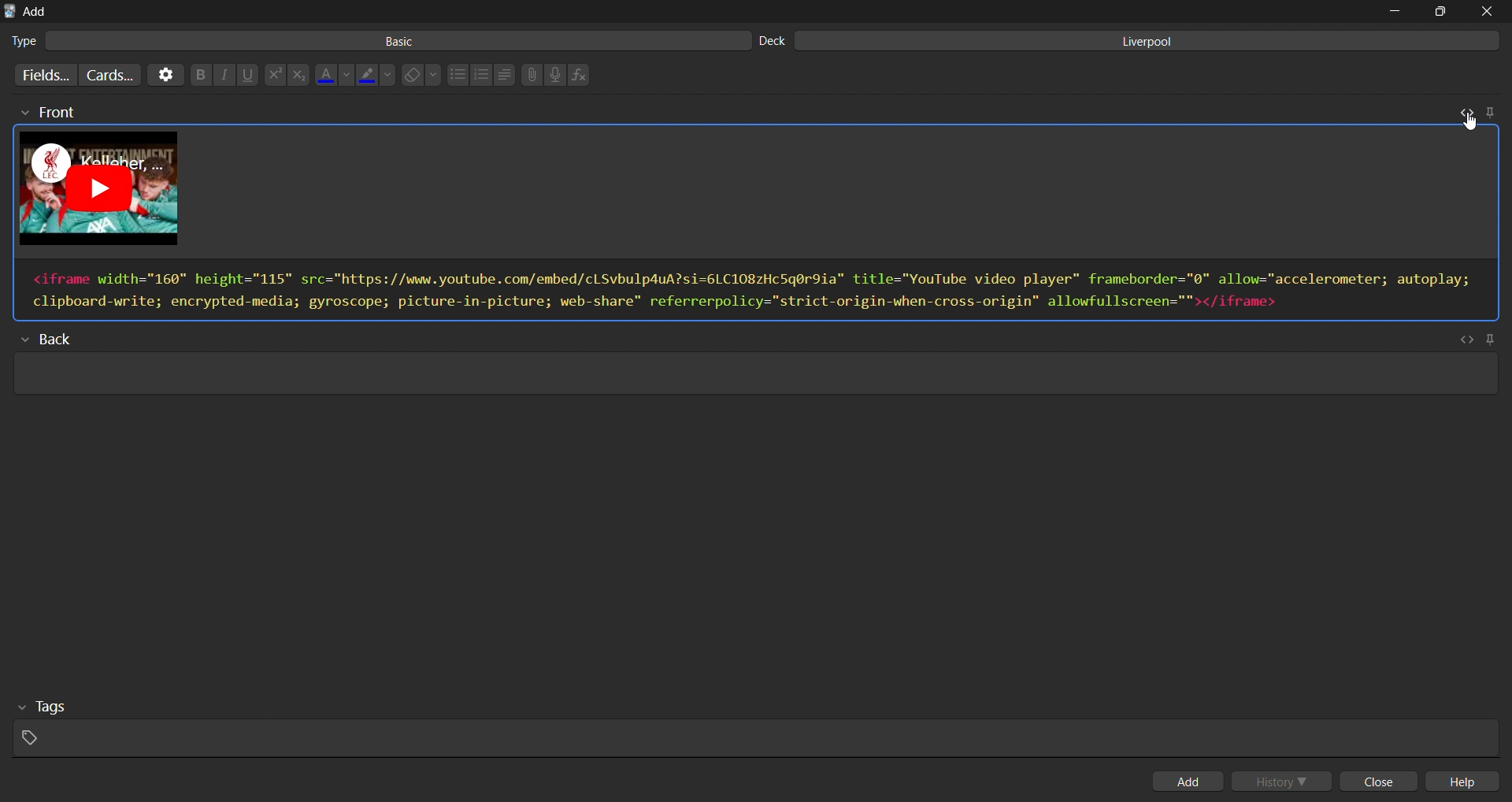  I want to click on html editor, so click(758, 291).